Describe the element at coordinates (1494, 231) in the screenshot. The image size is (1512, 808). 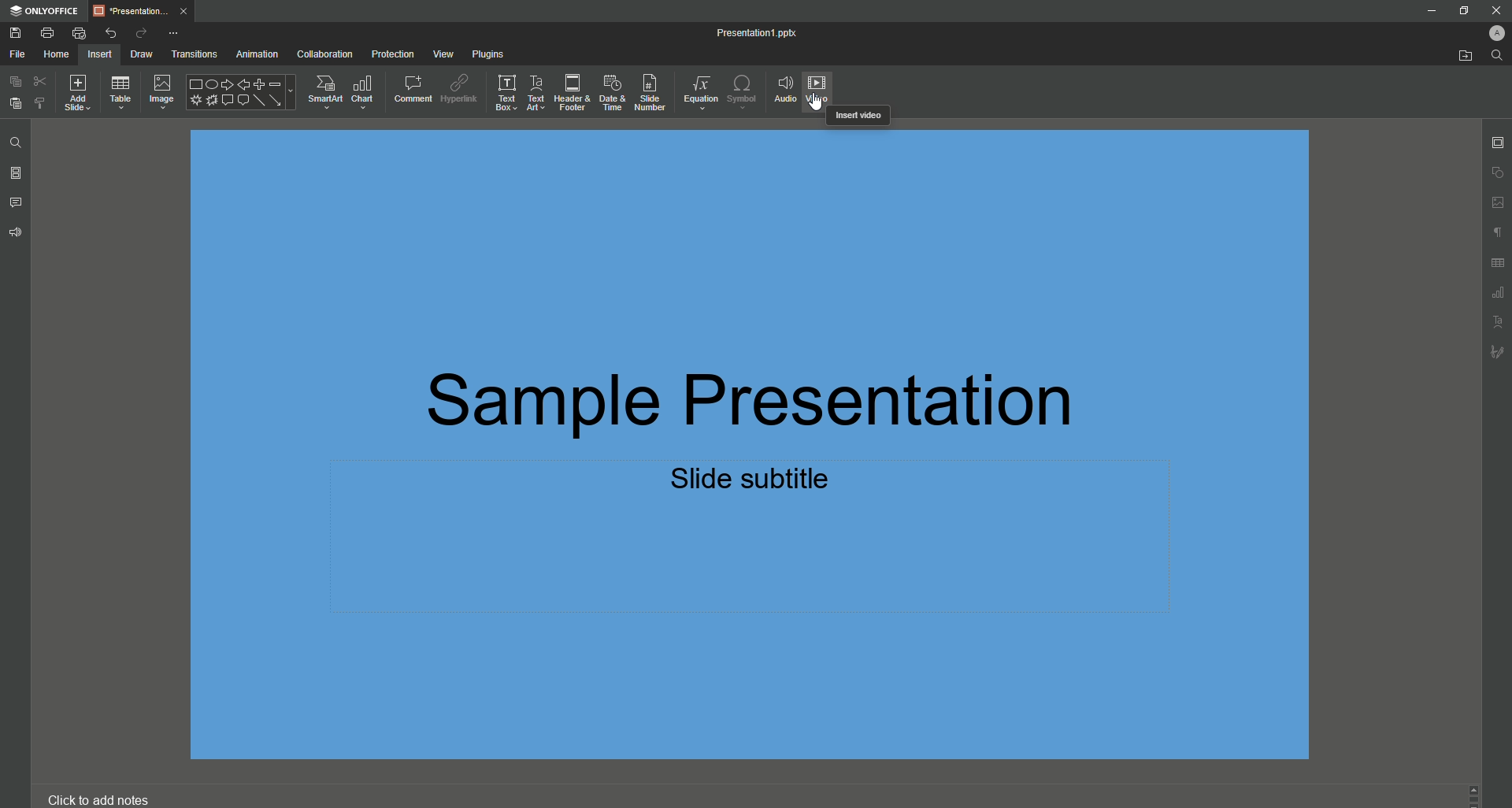
I see `Paragraph settings` at that location.